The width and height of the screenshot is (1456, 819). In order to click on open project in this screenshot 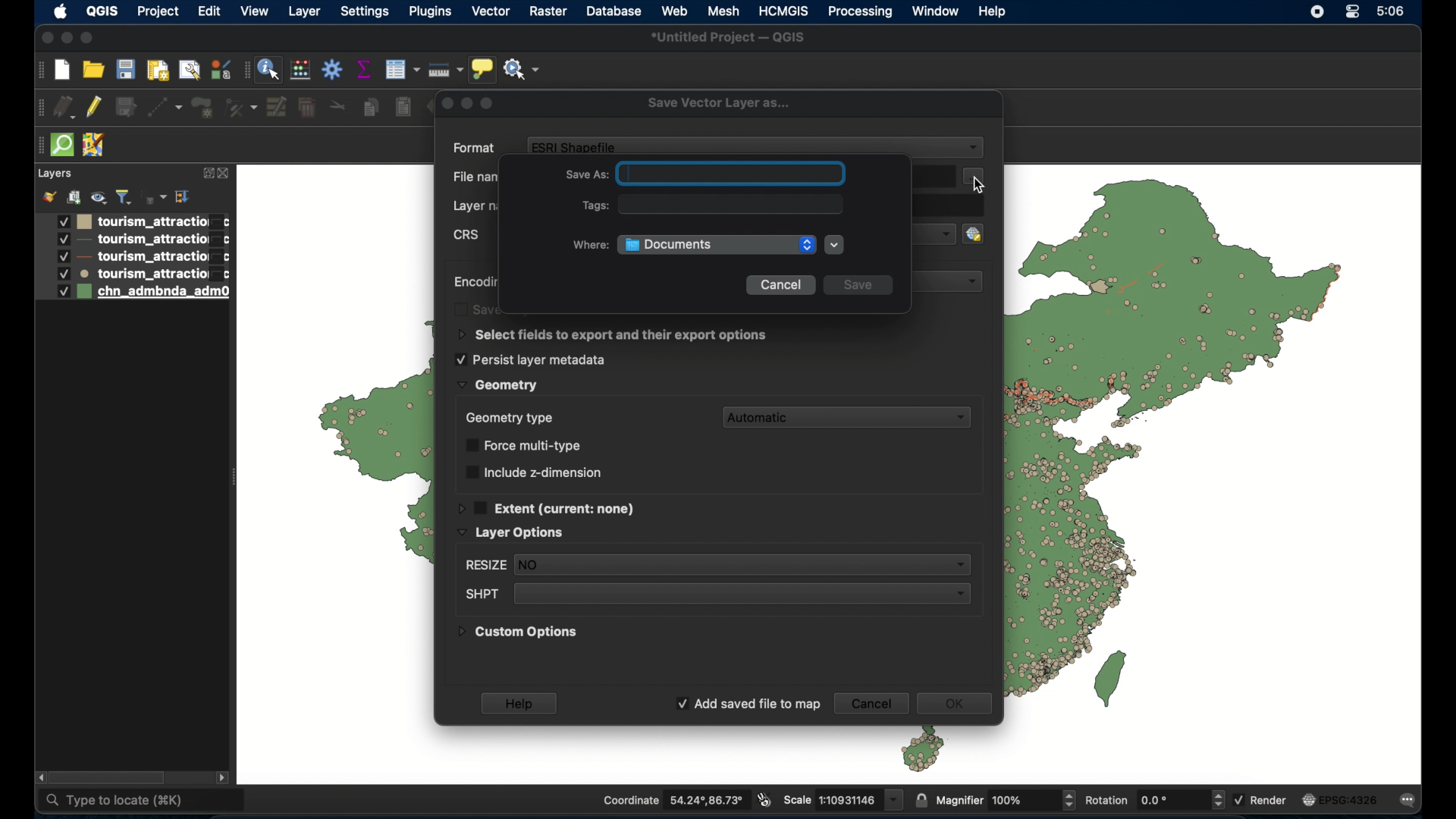, I will do `click(93, 68)`.